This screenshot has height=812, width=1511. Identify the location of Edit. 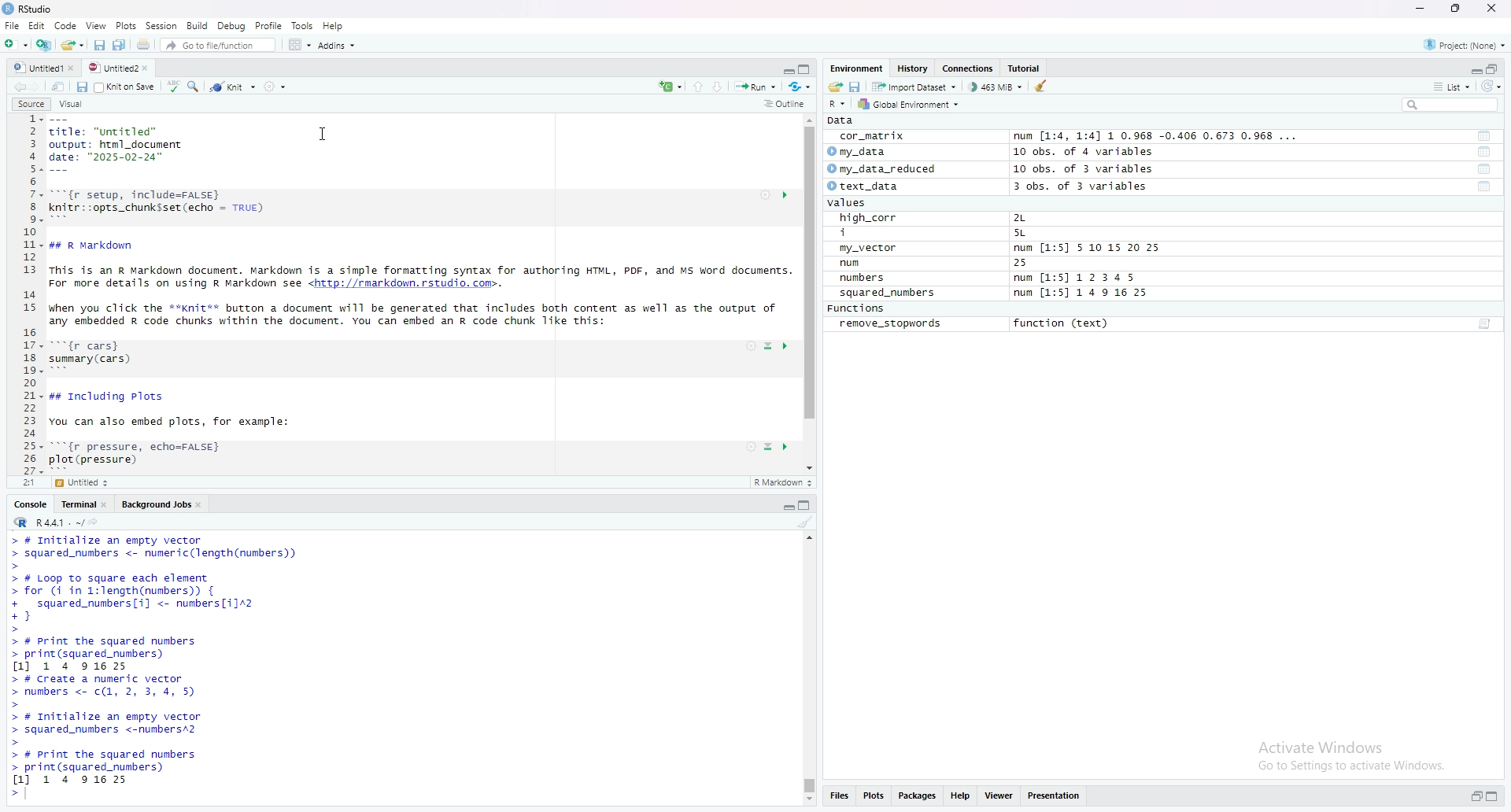
(35, 25).